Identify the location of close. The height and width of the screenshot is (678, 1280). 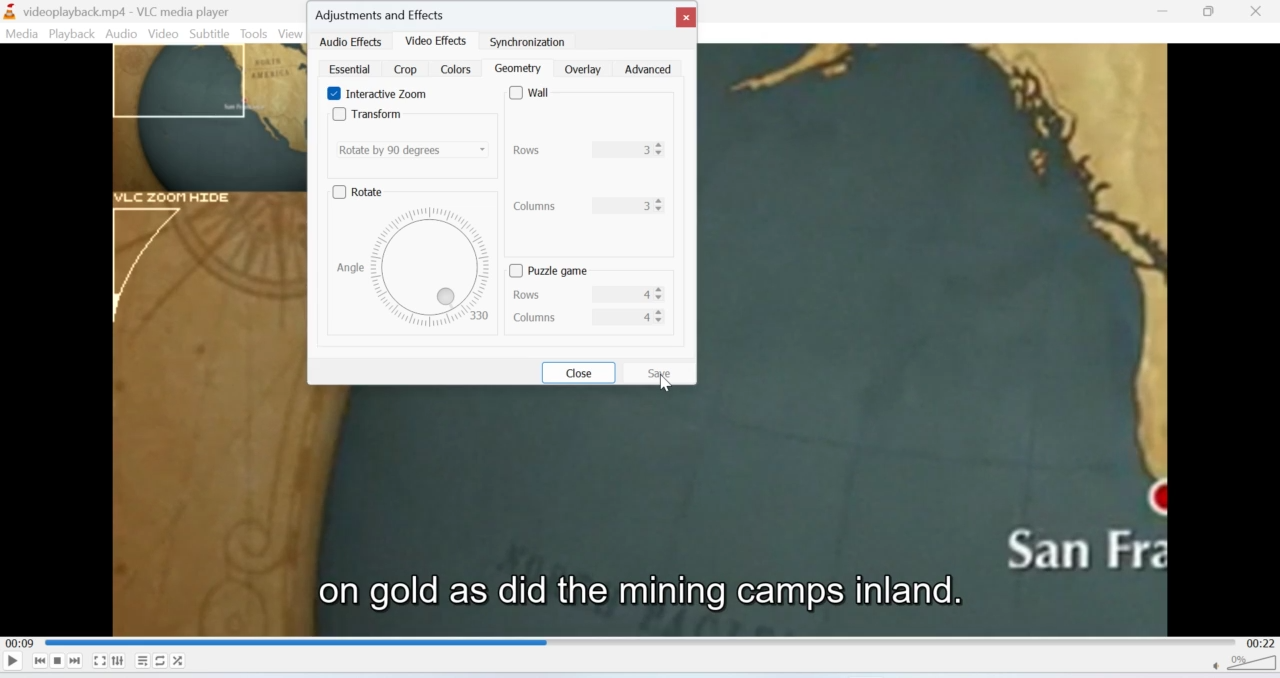
(686, 15).